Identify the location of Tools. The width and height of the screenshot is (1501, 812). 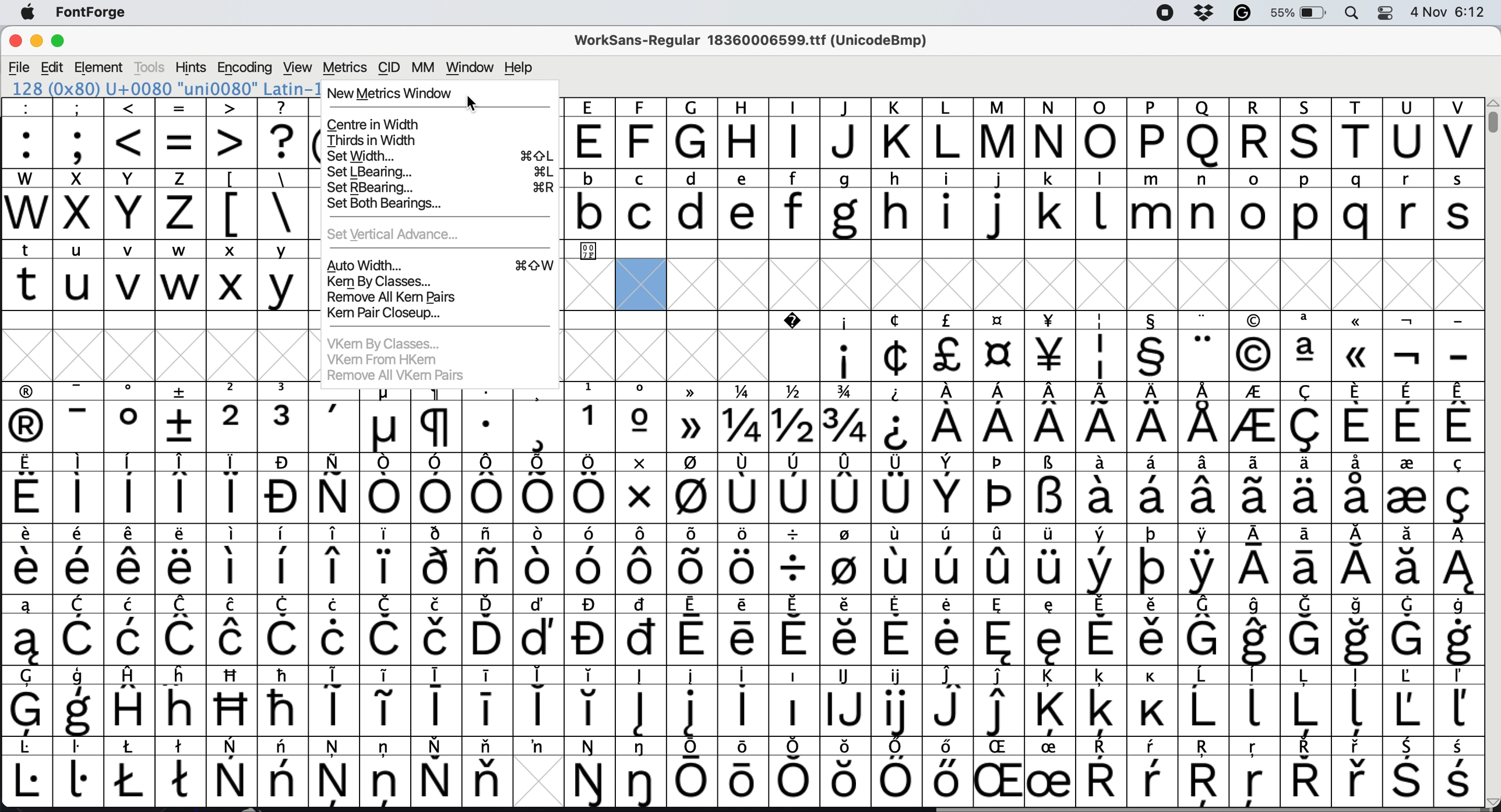
(147, 68).